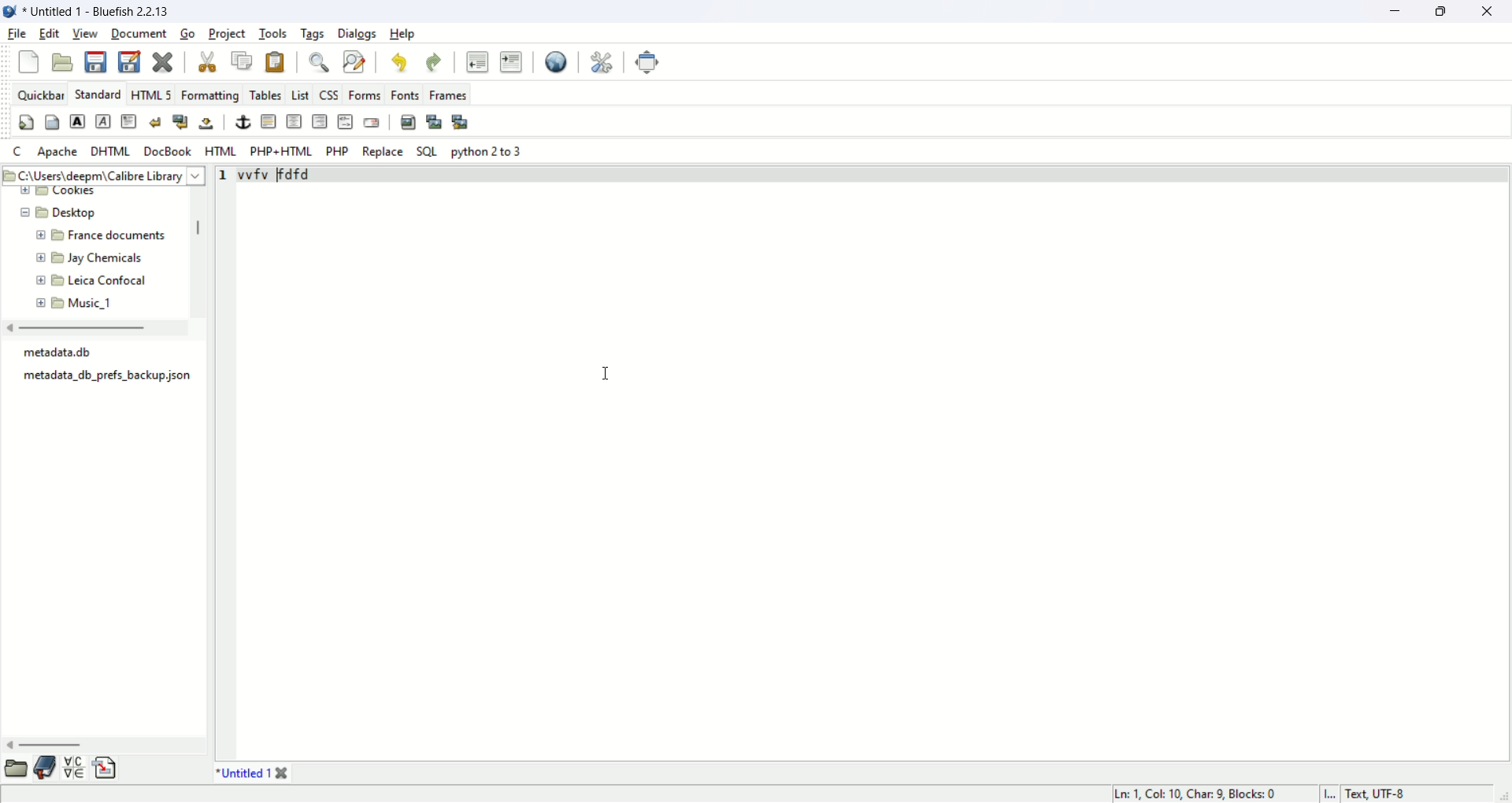 Image resolution: width=1512 pixels, height=803 pixels. What do you see at coordinates (206, 124) in the screenshot?
I see `non breaking space` at bounding box center [206, 124].